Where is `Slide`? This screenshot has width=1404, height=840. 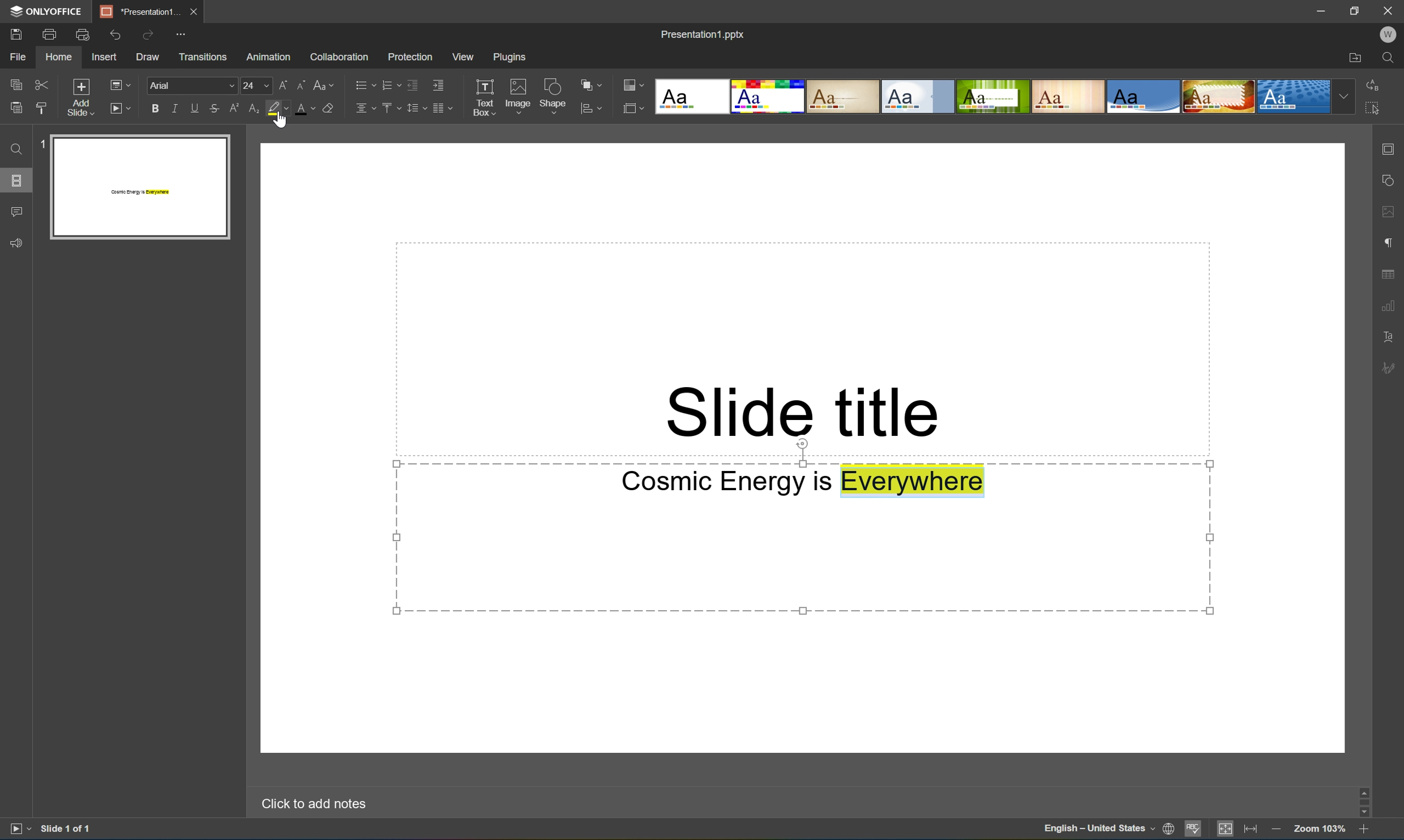
Slide is located at coordinates (140, 187).